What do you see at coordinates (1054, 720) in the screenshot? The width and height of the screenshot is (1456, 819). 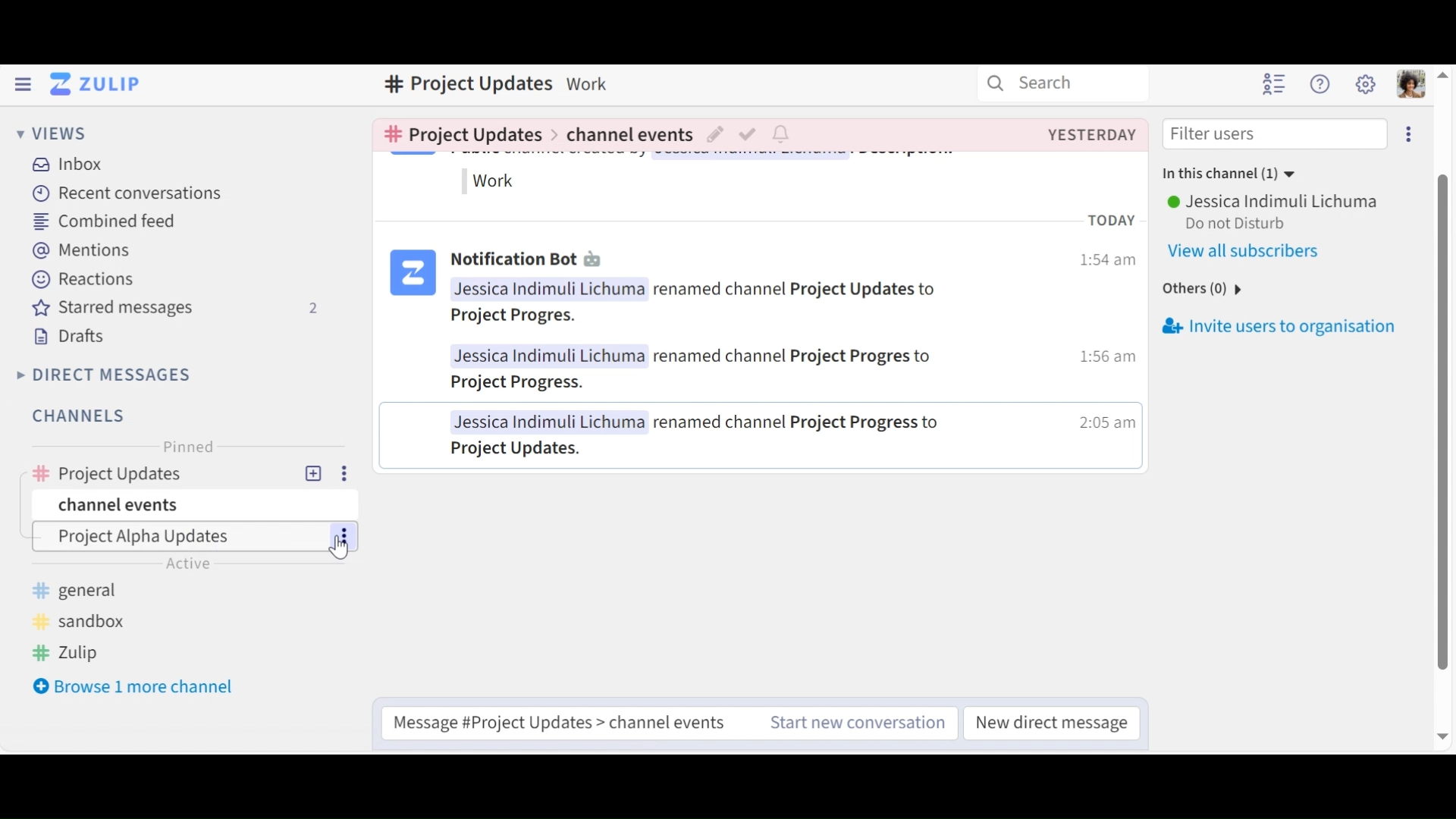 I see `New direct message` at bounding box center [1054, 720].